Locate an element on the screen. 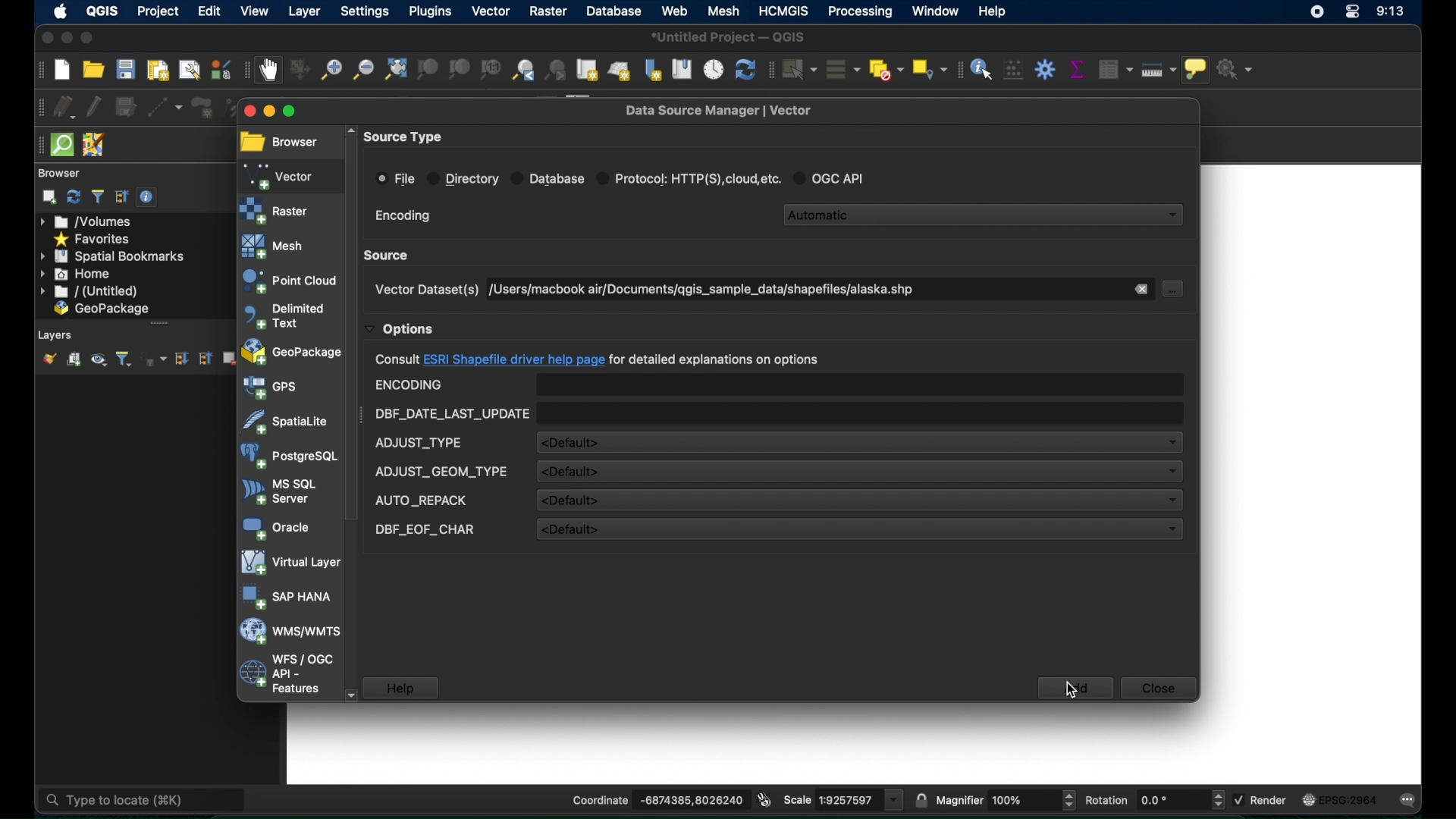 The height and width of the screenshot is (819, 1456). pan map to selection is located at coordinates (300, 70).